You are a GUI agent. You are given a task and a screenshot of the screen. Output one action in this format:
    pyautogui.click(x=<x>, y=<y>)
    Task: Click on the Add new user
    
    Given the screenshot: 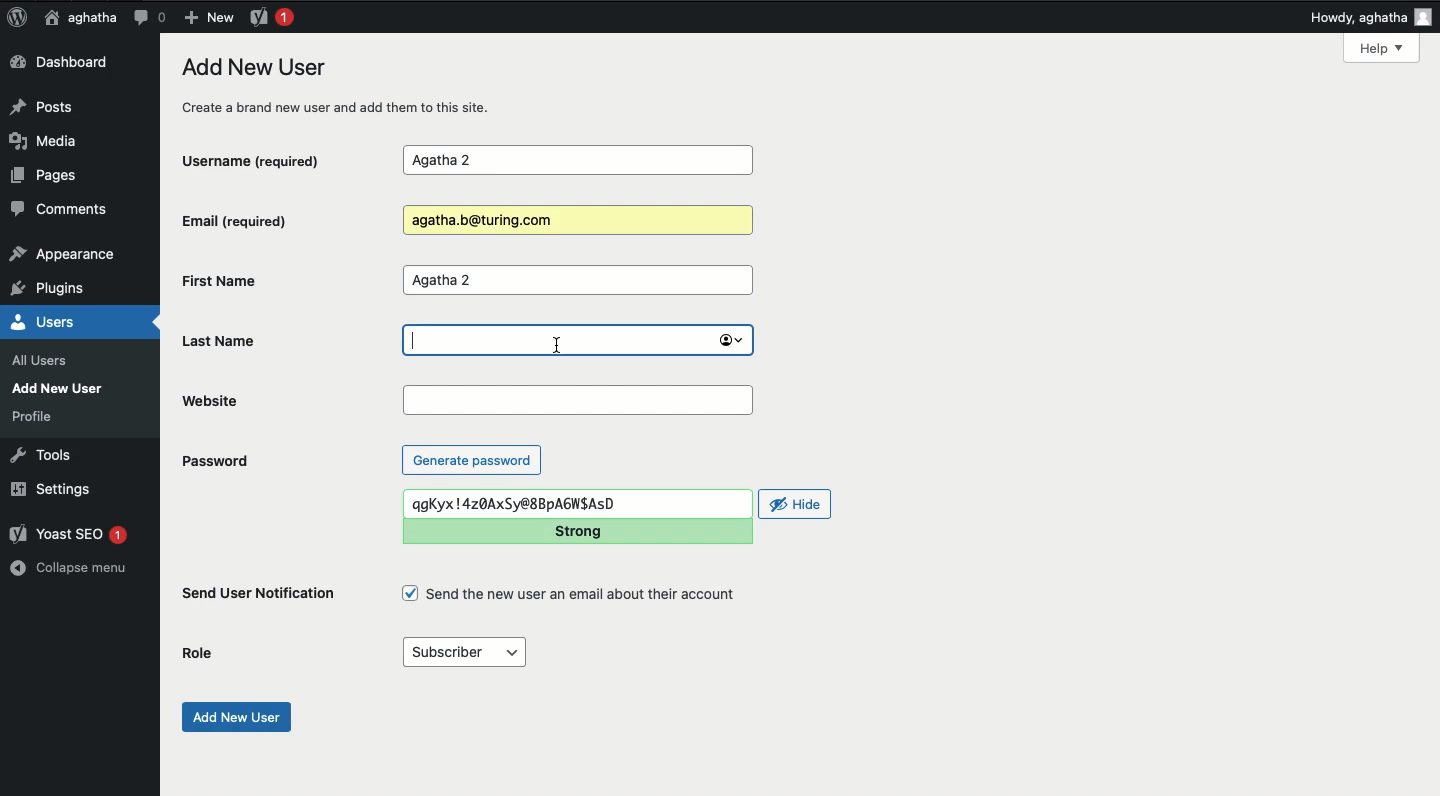 What is the action you would take?
    pyautogui.click(x=62, y=388)
    